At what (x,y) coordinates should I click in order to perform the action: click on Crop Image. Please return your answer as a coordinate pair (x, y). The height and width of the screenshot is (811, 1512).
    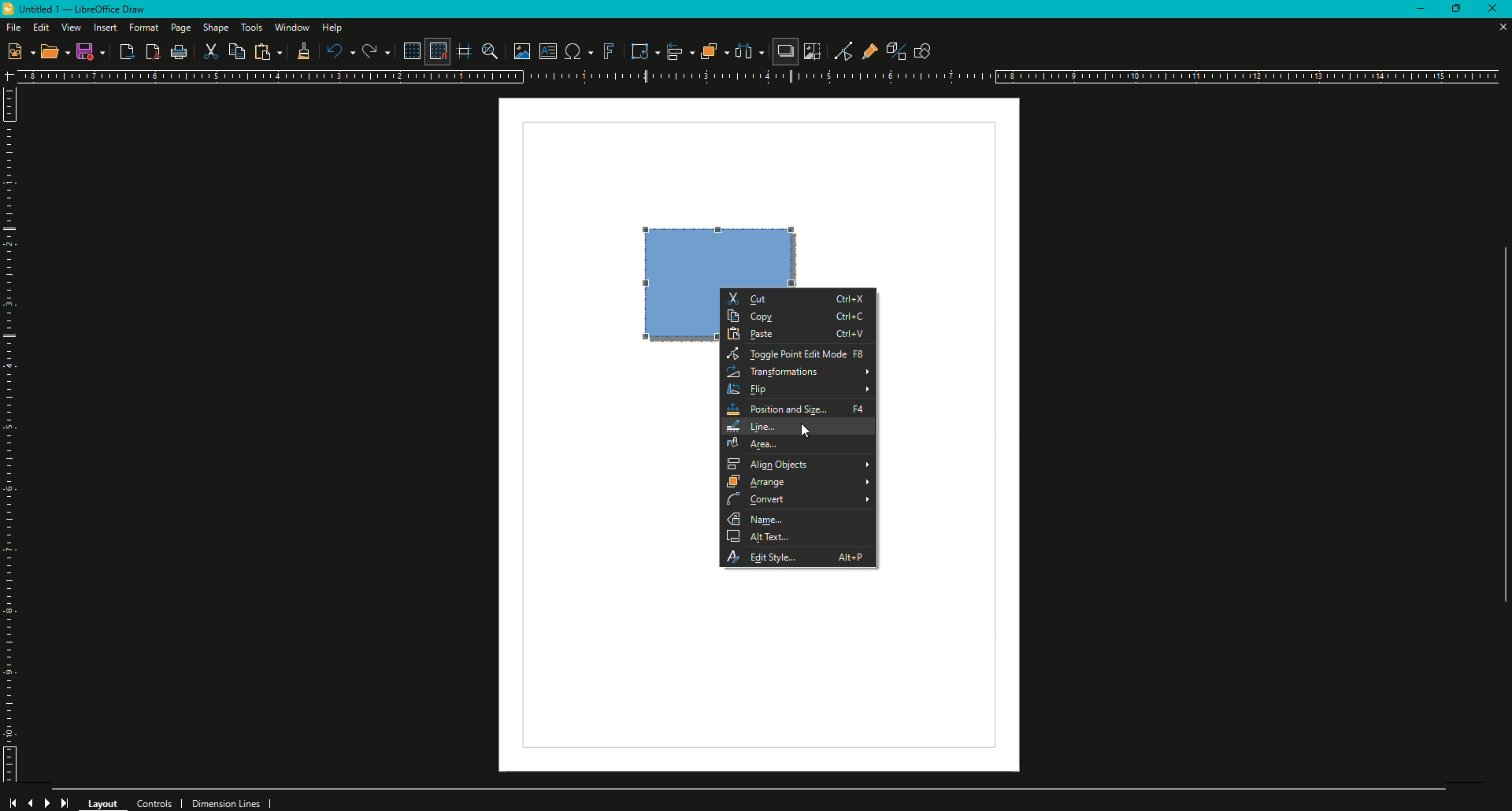
    Looking at the image, I should click on (812, 51).